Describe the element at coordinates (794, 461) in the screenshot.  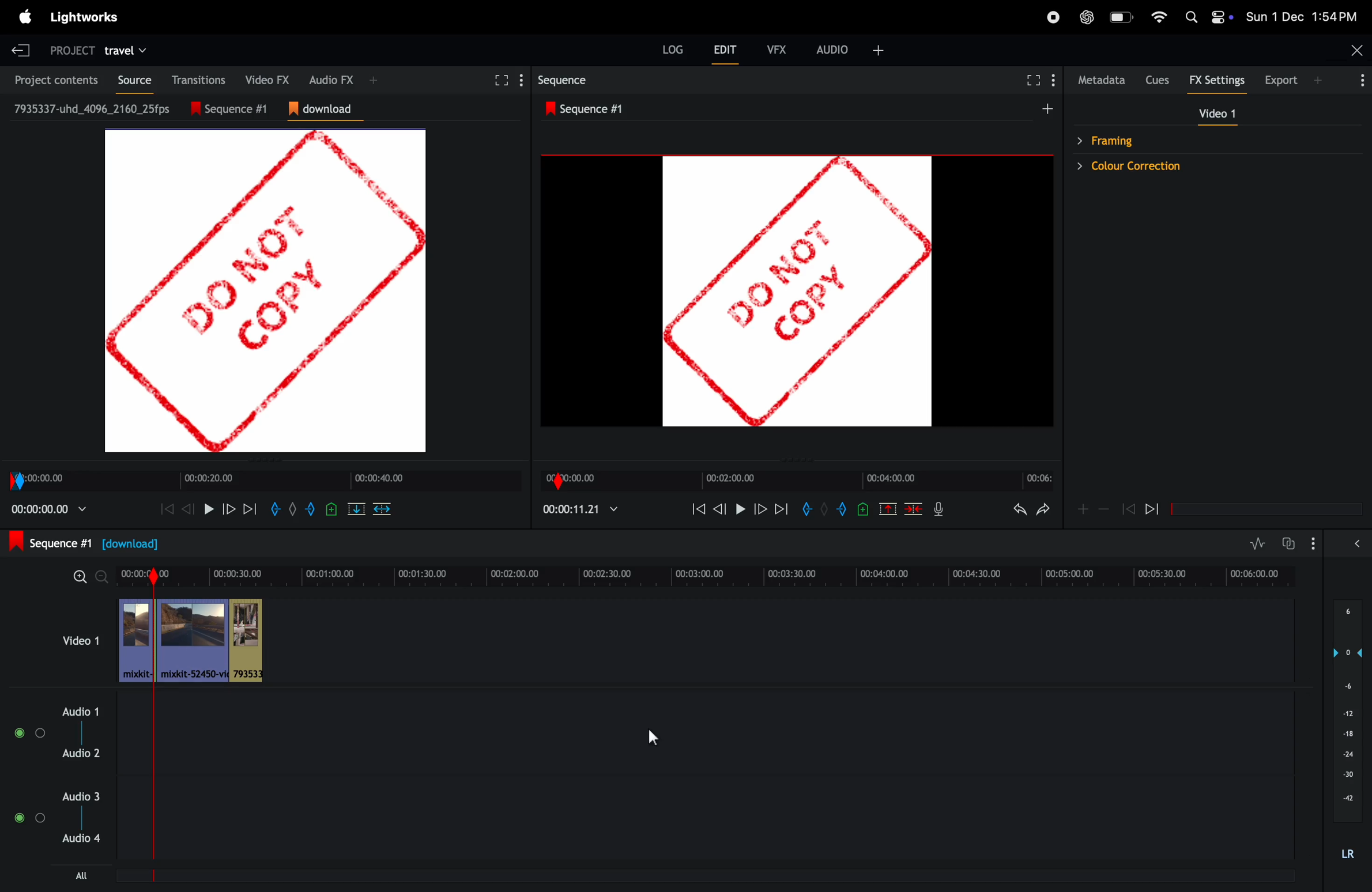
I see `Drag to change dimension` at that location.